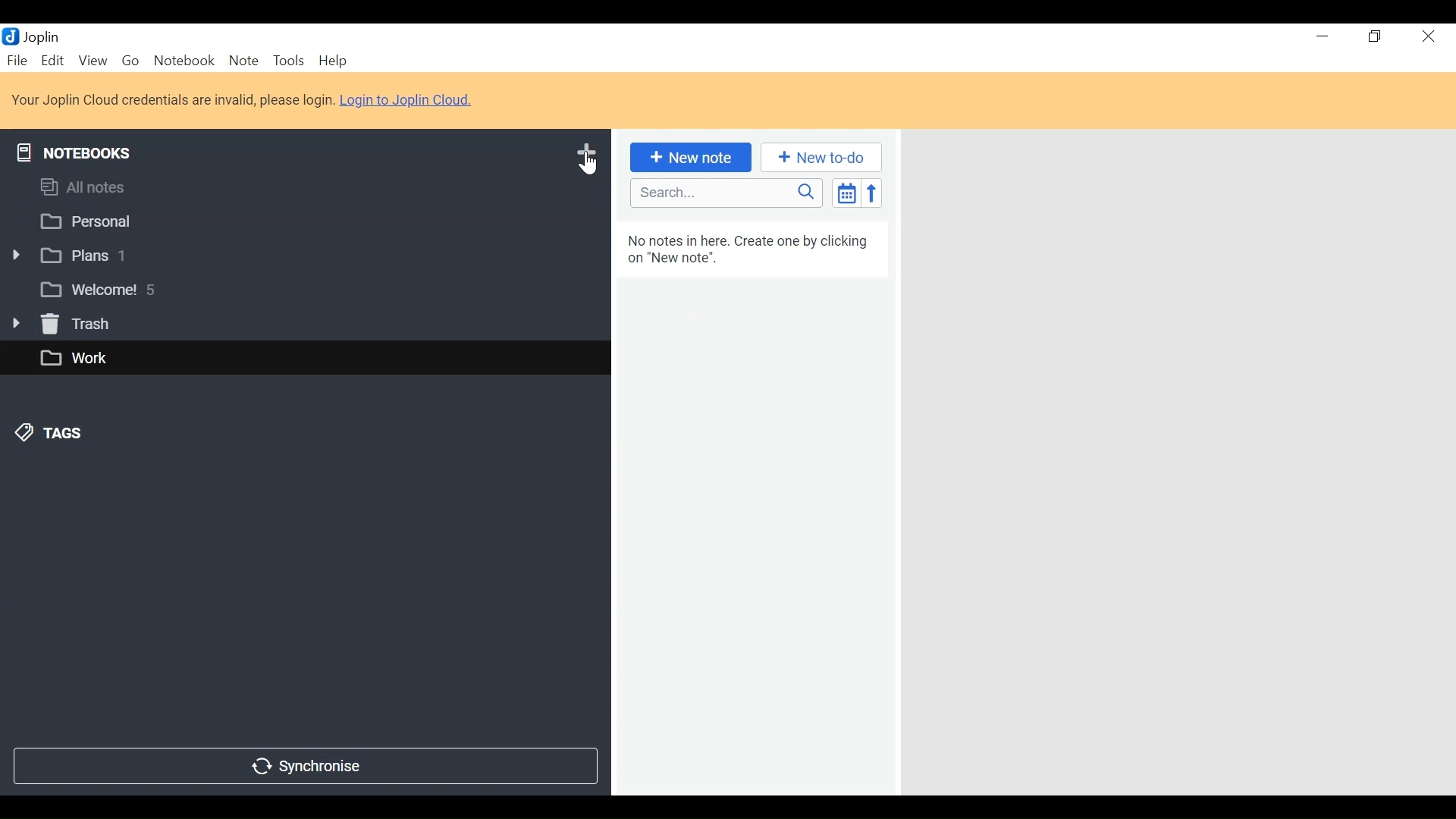 The height and width of the screenshot is (819, 1456). What do you see at coordinates (586, 152) in the screenshot?
I see `Add Notebook` at bounding box center [586, 152].